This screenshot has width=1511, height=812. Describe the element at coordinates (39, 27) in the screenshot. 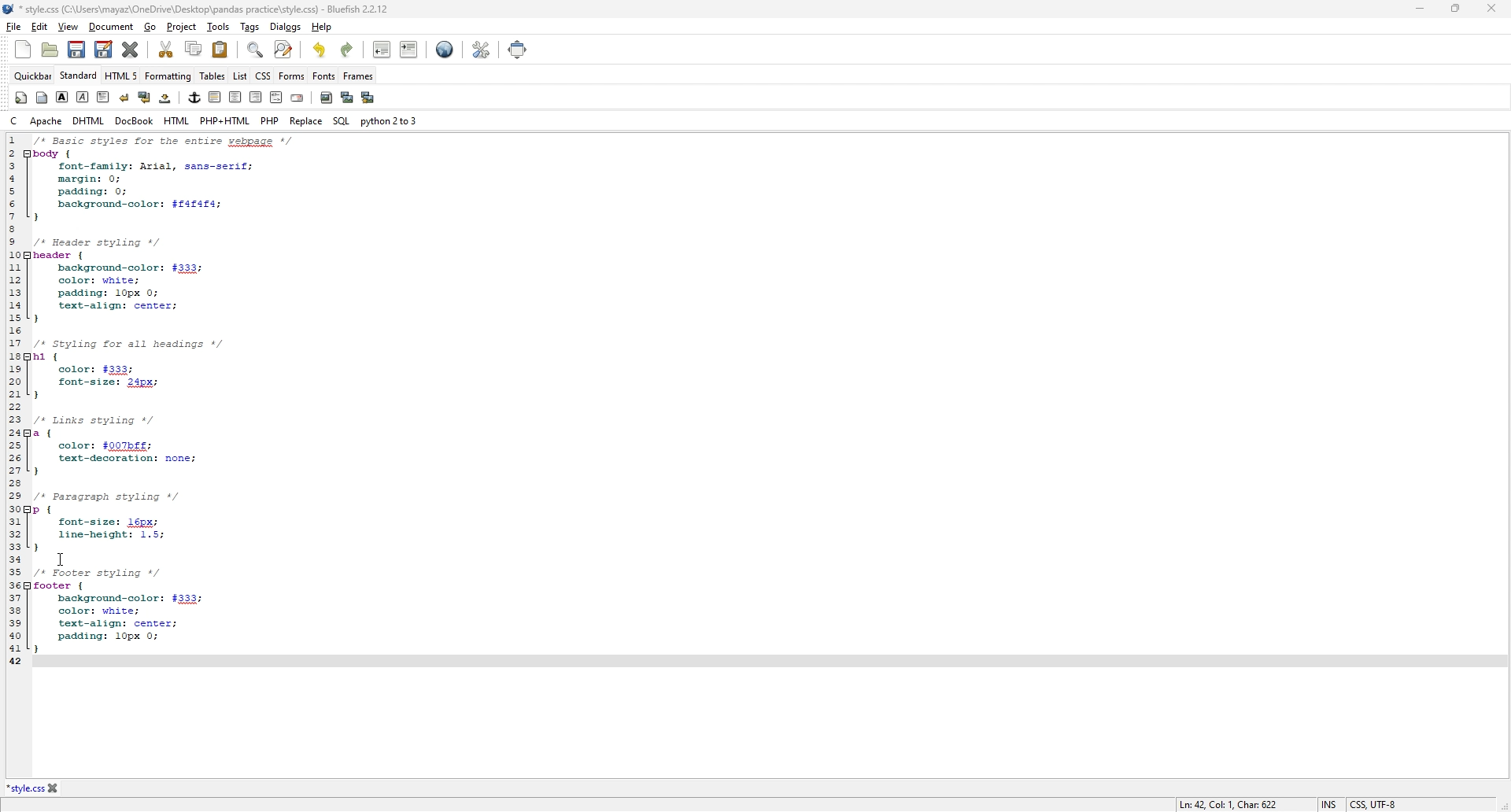

I see `edit` at that location.